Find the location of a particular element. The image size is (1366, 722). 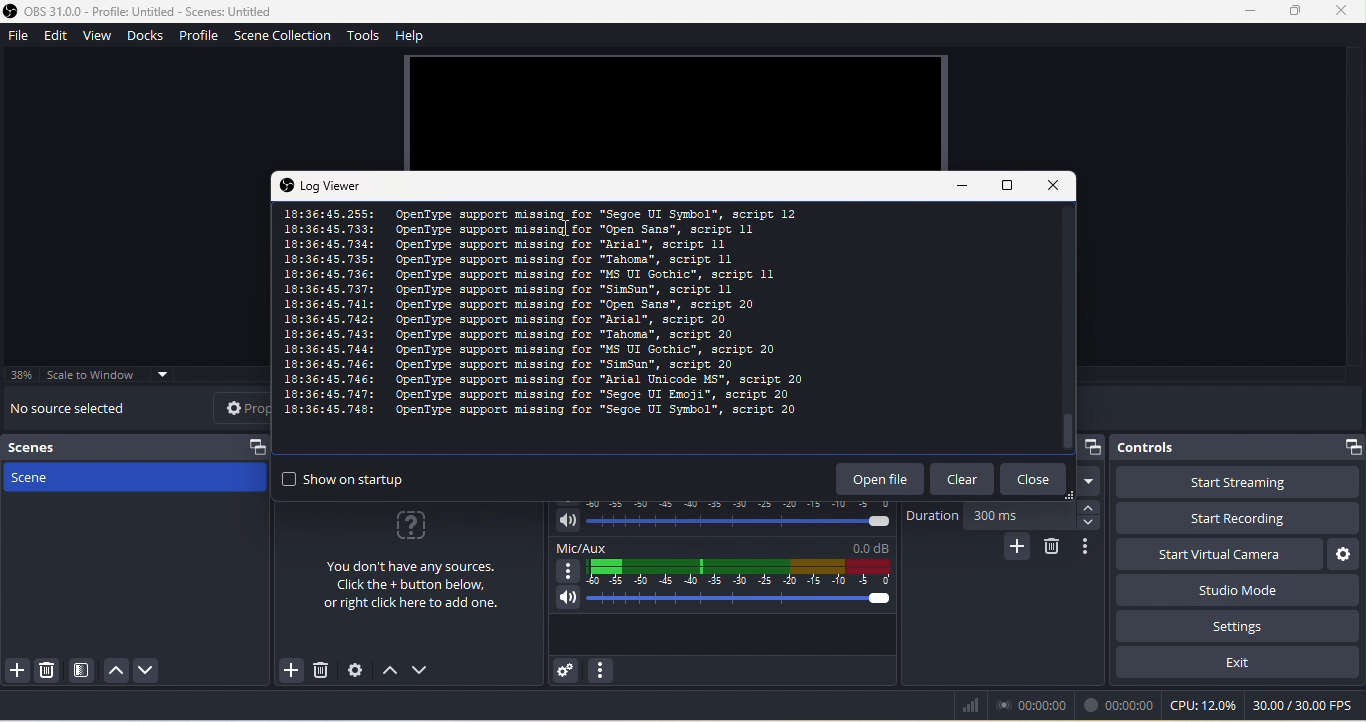

exit is located at coordinates (1240, 668).